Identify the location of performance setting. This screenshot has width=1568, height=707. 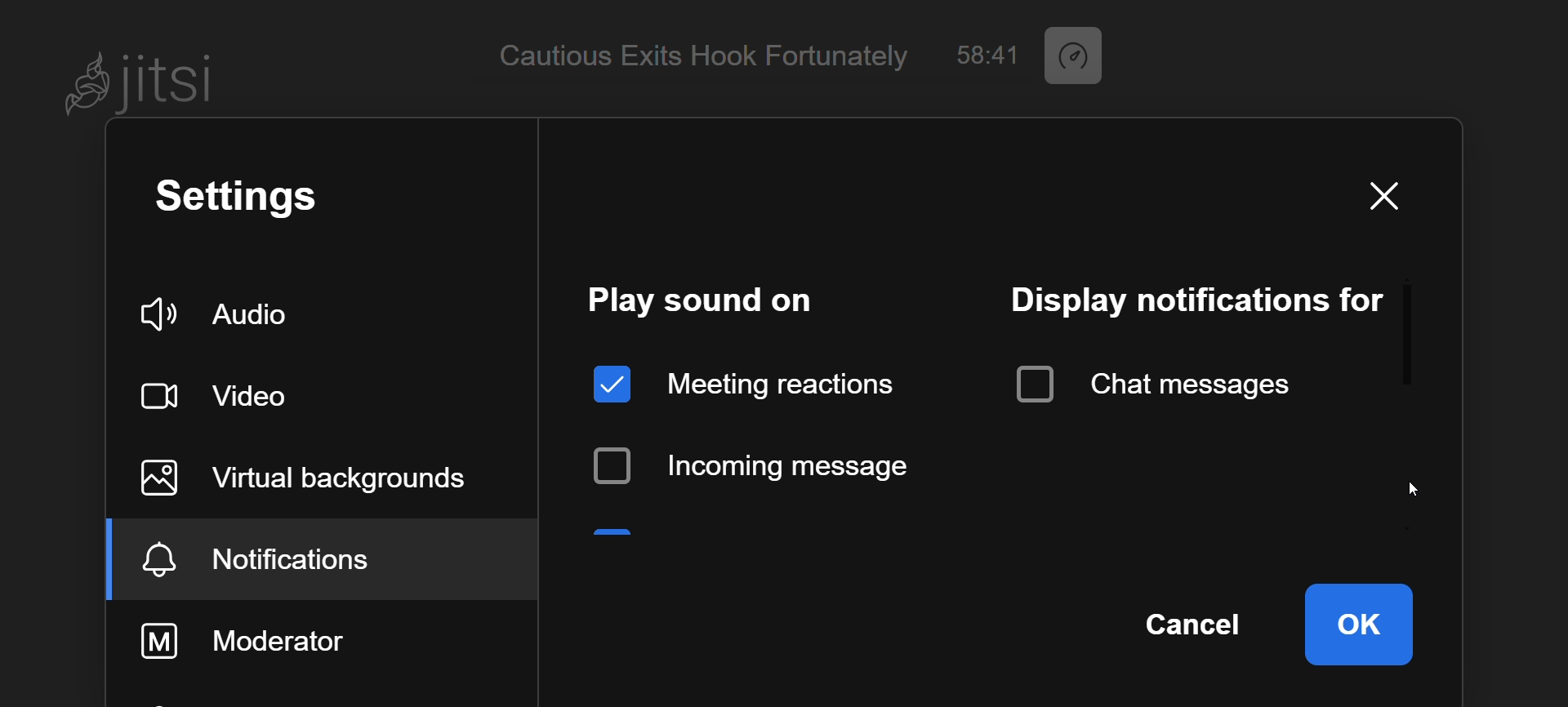
(1082, 58).